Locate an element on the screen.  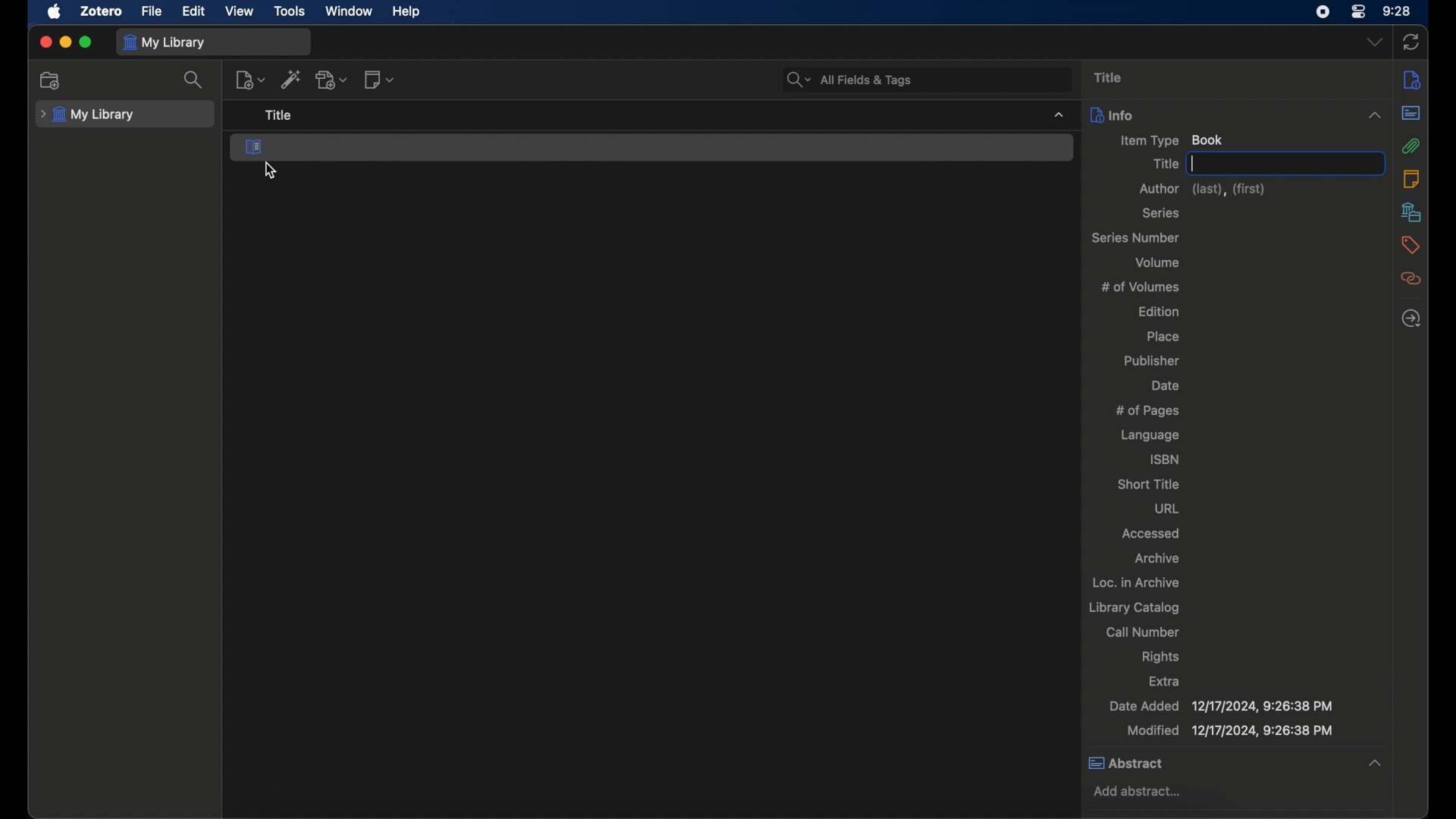
isbn is located at coordinates (1166, 460).